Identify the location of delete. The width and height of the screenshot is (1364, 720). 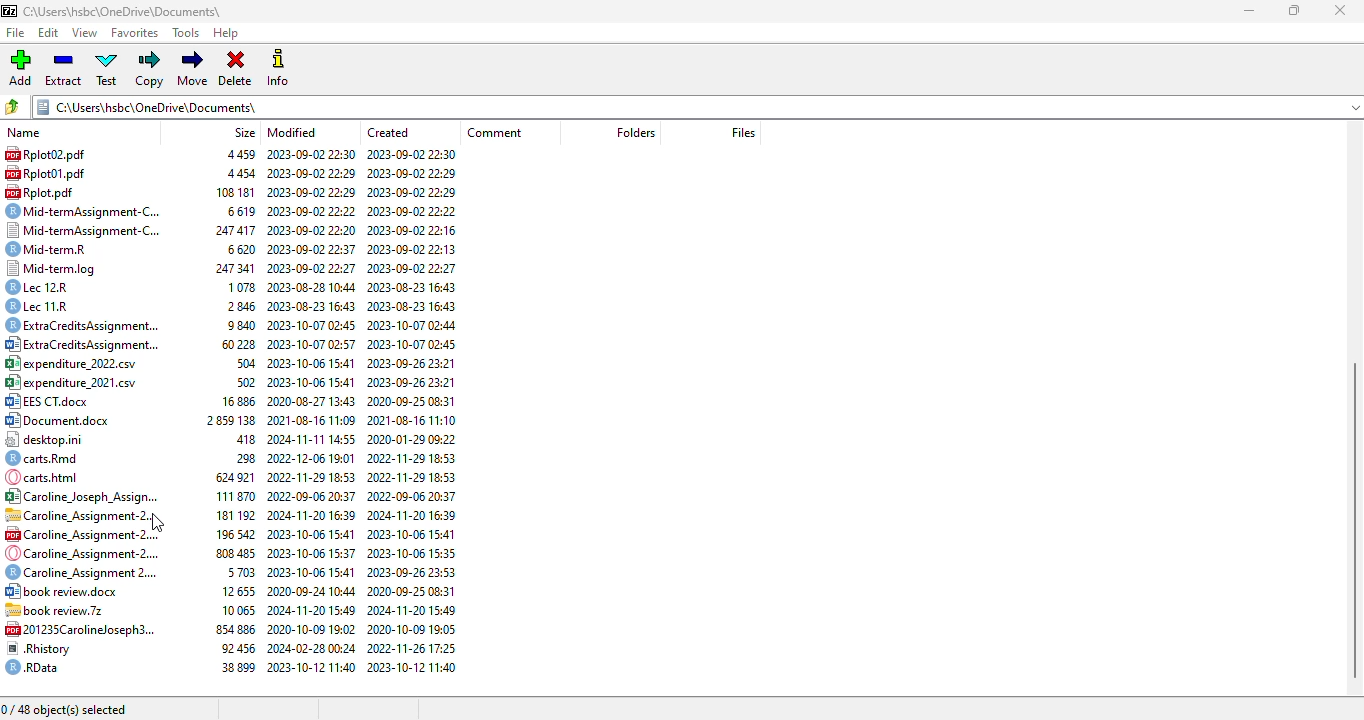
(236, 70).